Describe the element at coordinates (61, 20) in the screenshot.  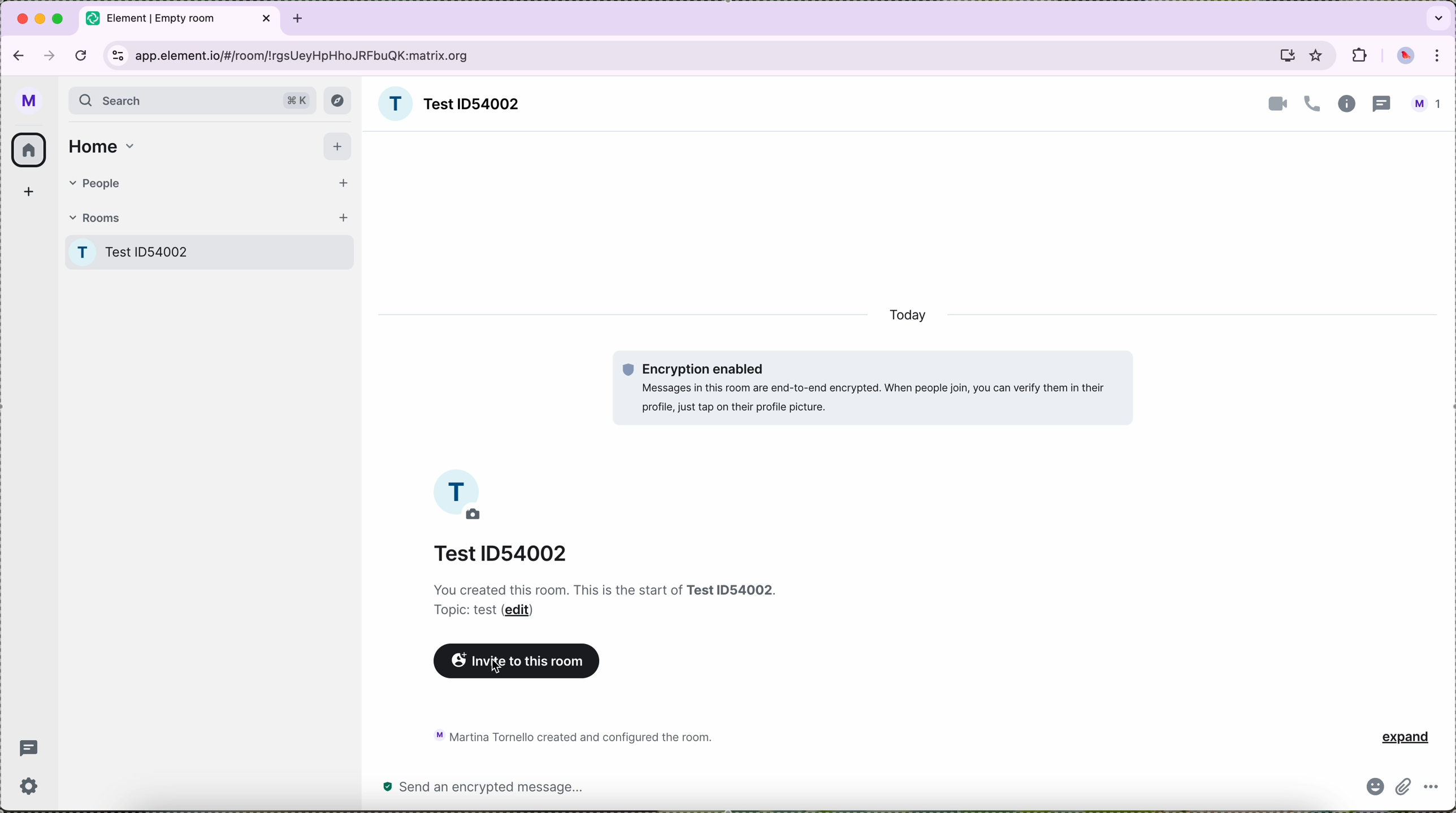
I see `maximize` at that location.